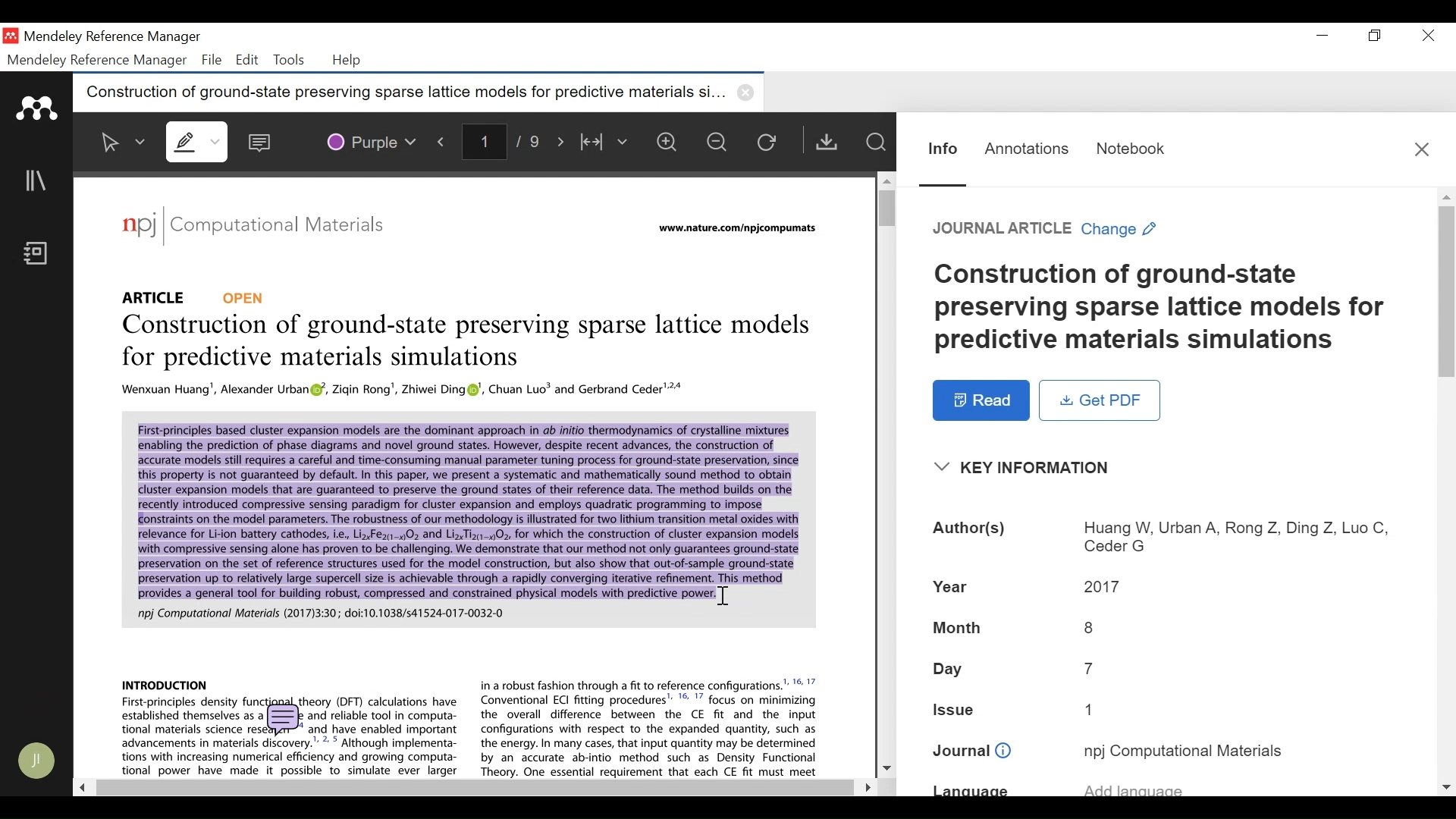  I want to click on Notebook, so click(40, 255).